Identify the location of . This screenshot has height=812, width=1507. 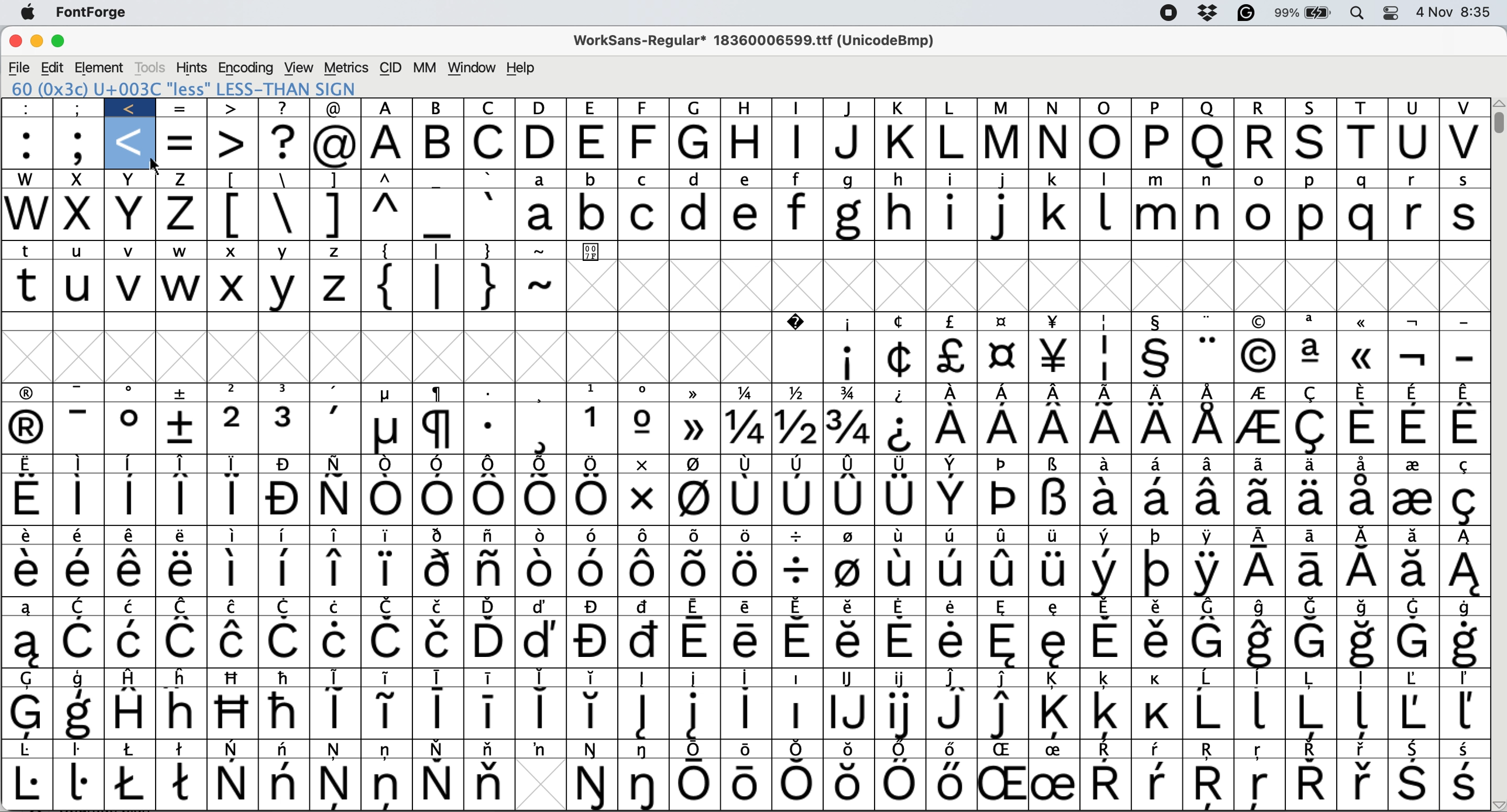
(1003, 572).